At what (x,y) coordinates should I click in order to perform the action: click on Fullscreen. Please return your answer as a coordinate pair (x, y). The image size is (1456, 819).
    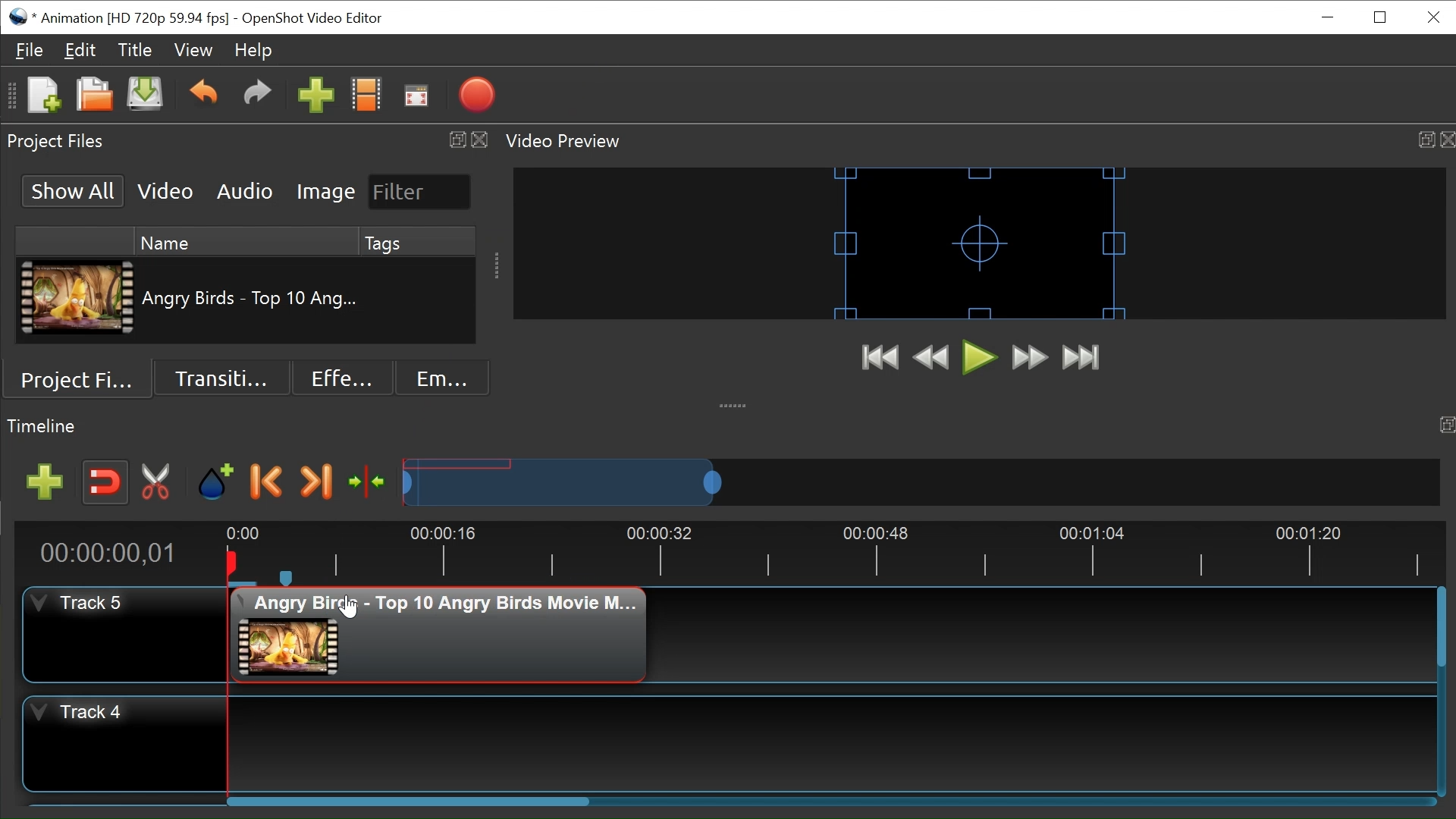
    Looking at the image, I should click on (416, 99).